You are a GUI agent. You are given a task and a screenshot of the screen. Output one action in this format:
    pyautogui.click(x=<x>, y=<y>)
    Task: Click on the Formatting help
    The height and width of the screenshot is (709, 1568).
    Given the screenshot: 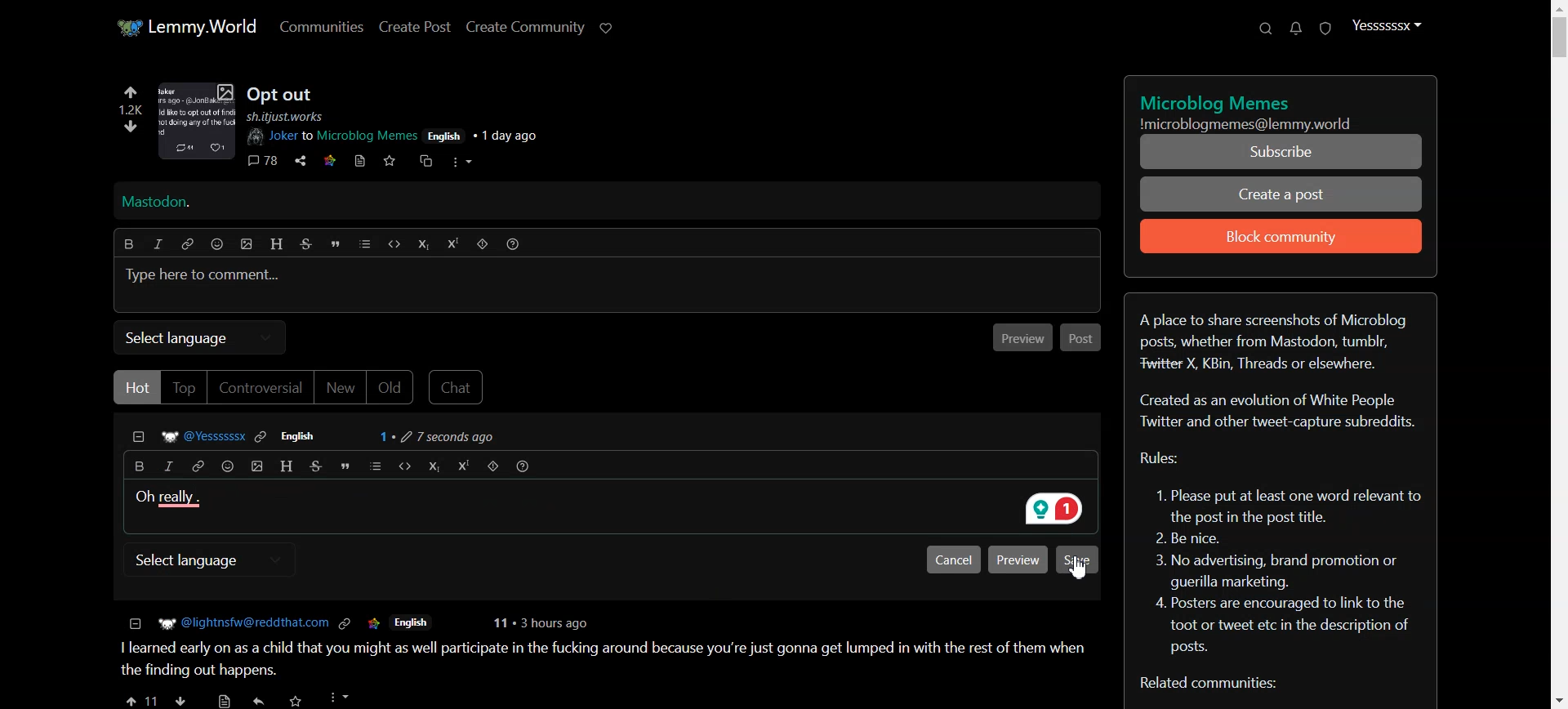 What is the action you would take?
    pyautogui.click(x=514, y=243)
    